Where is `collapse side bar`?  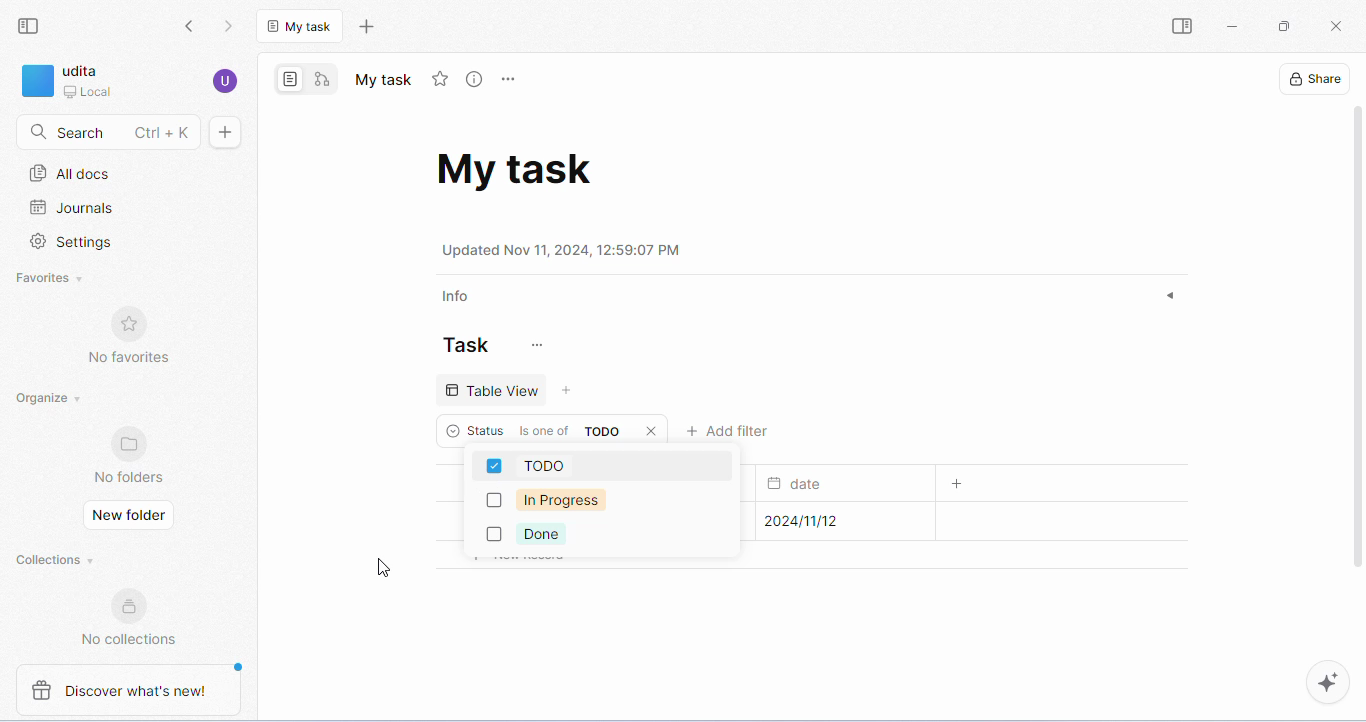 collapse side bar is located at coordinates (28, 27).